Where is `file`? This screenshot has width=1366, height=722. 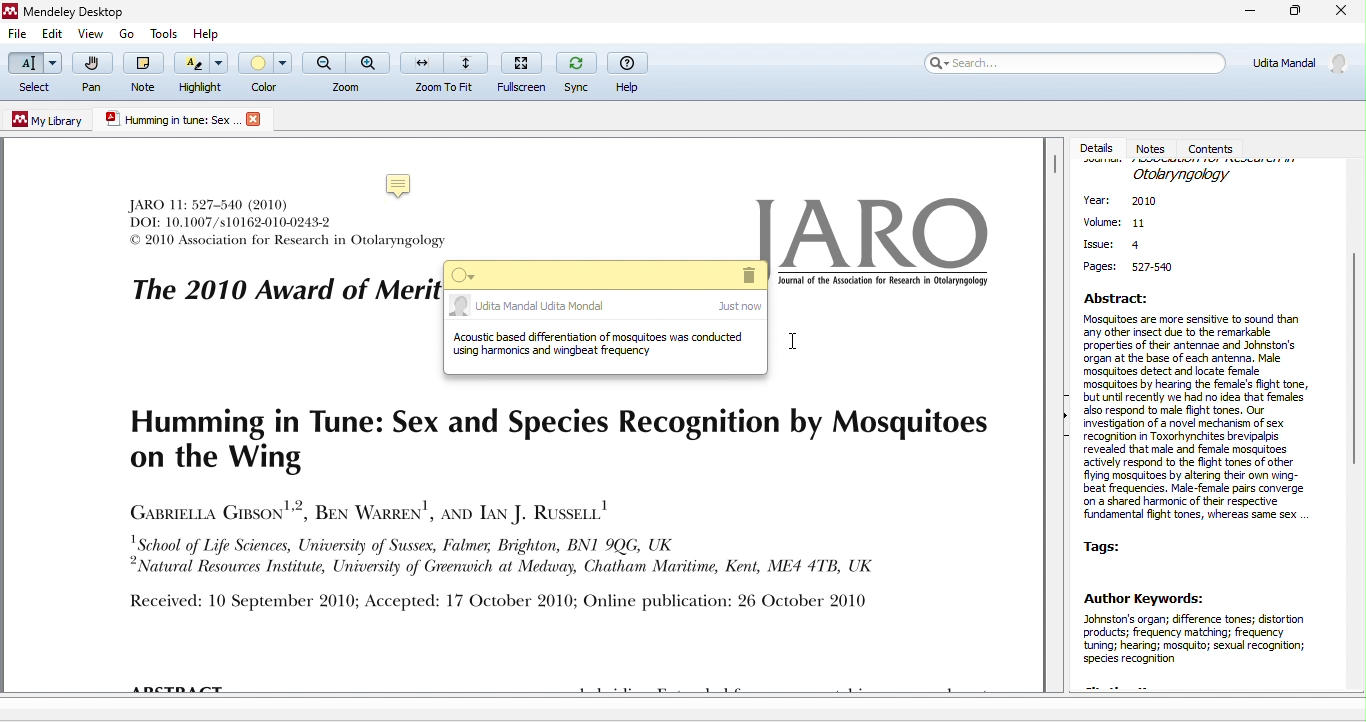 file is located at coordinates (16, 35).